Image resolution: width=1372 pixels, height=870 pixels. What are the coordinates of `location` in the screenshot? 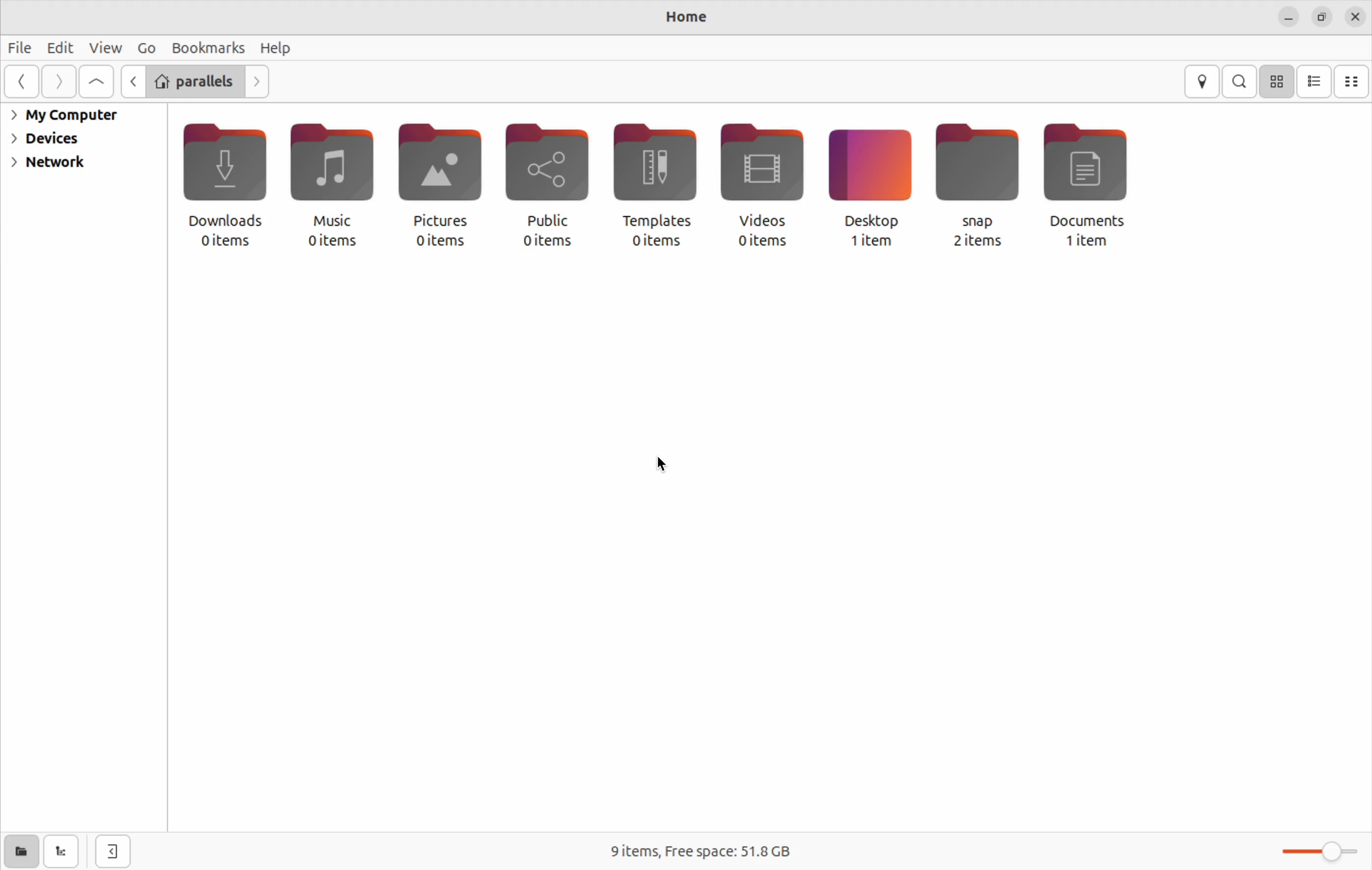 It's located at (1202, 82).